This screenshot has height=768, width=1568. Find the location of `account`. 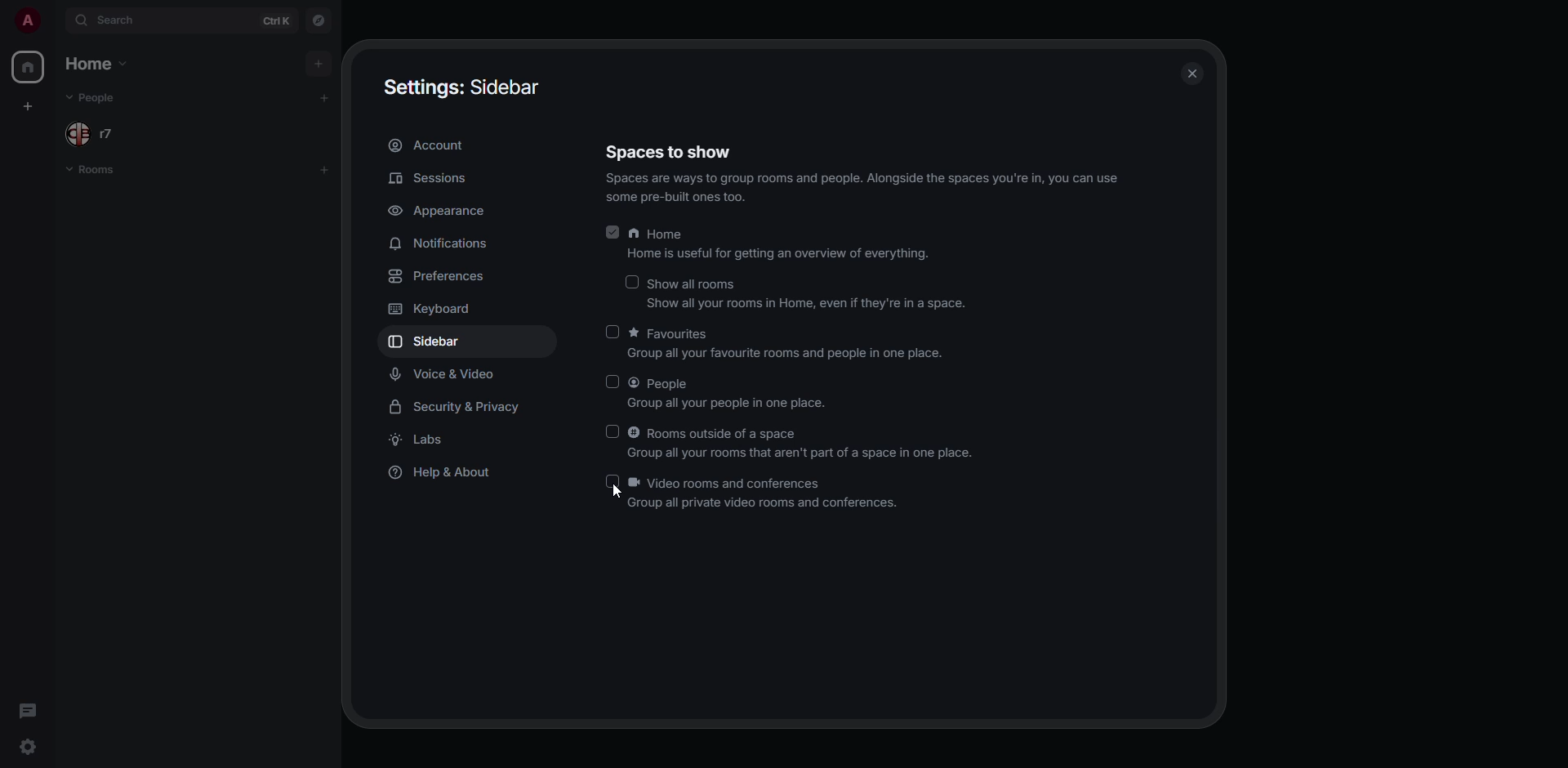

account is located at coordinates (428, 143).